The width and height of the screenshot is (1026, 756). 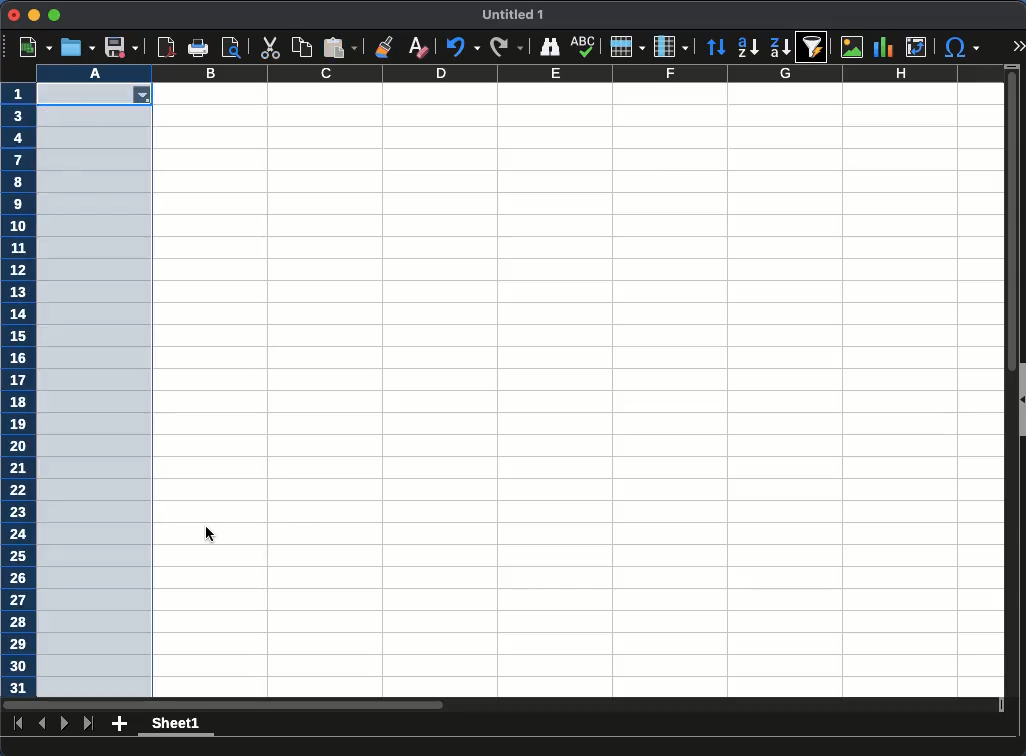 I want to click on first sheet, so click(x=17, y=722).